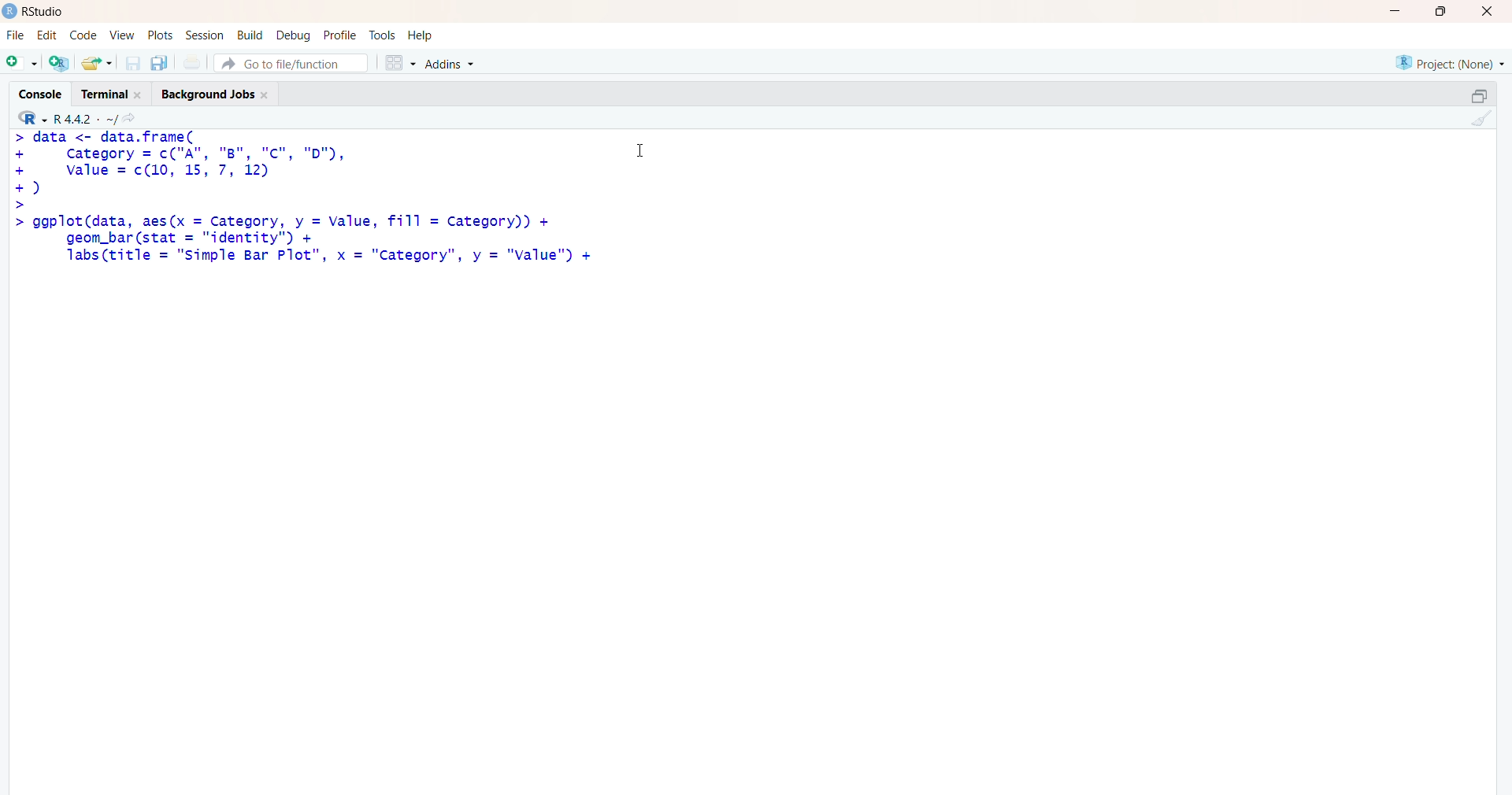 The height and width of the screenshot is (795, 1512). Describe the element at coordinates (58, 62) in the screenshot. I see `create a project` at that location.